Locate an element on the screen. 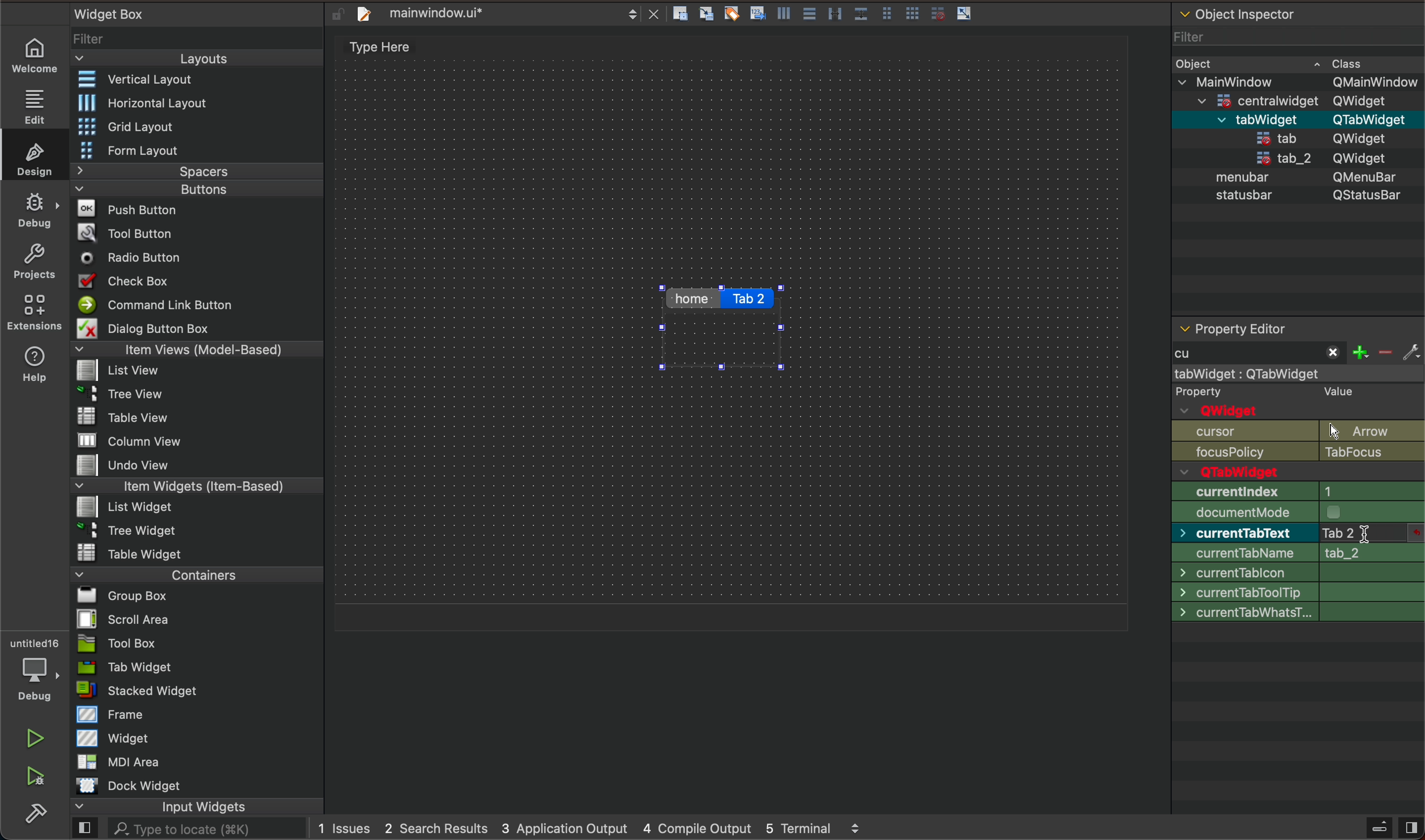  Frame is located at coordinates (105, 714).